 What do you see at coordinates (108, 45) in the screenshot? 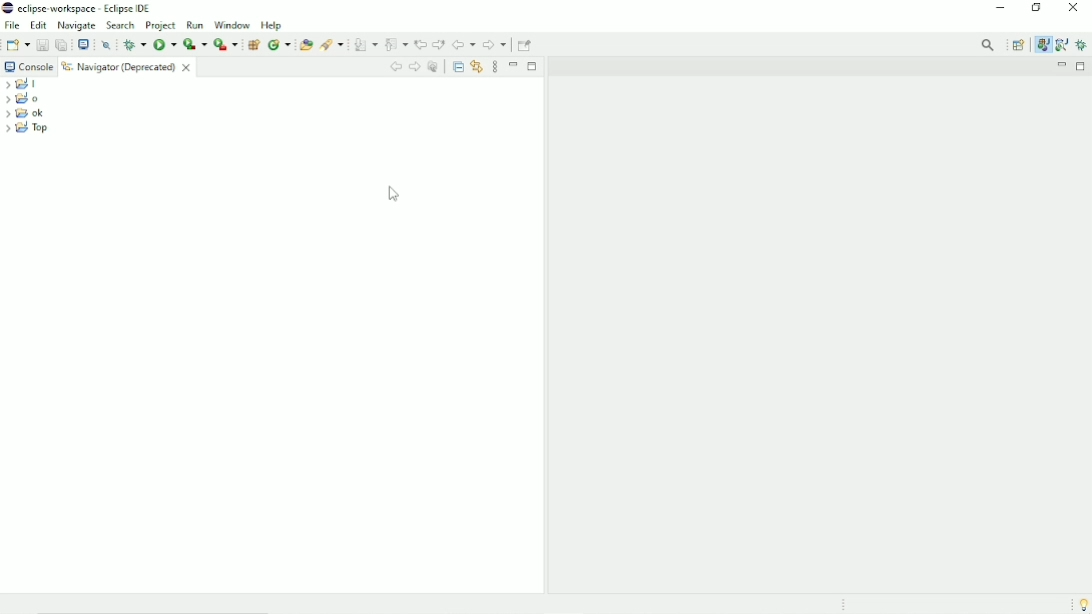
I see `Skip all breakpoints` at bounding box center [108, 45].